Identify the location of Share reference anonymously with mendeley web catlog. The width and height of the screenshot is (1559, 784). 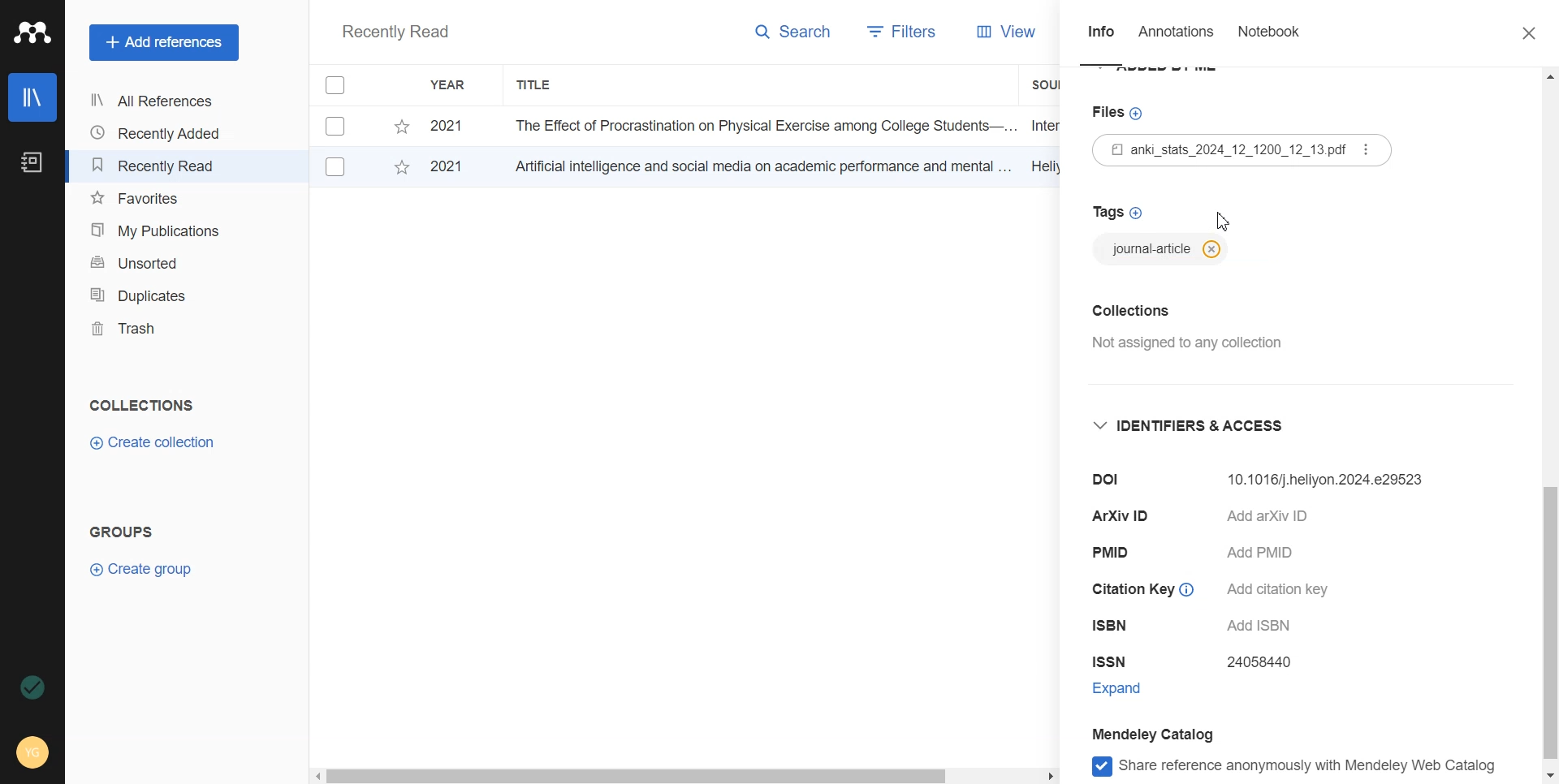
(1298, 767).